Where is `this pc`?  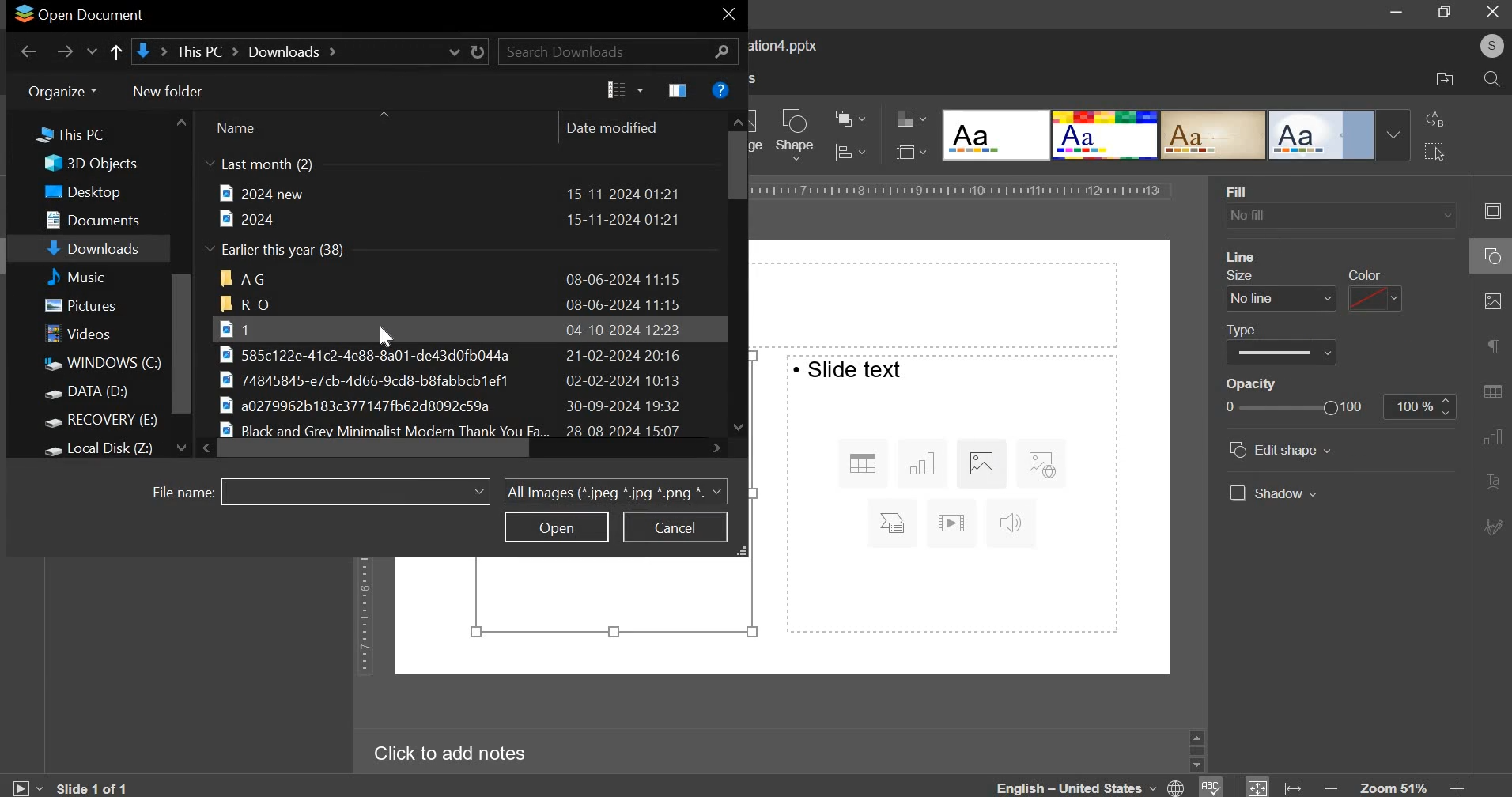 this pc is located at coordinates (62, 137).